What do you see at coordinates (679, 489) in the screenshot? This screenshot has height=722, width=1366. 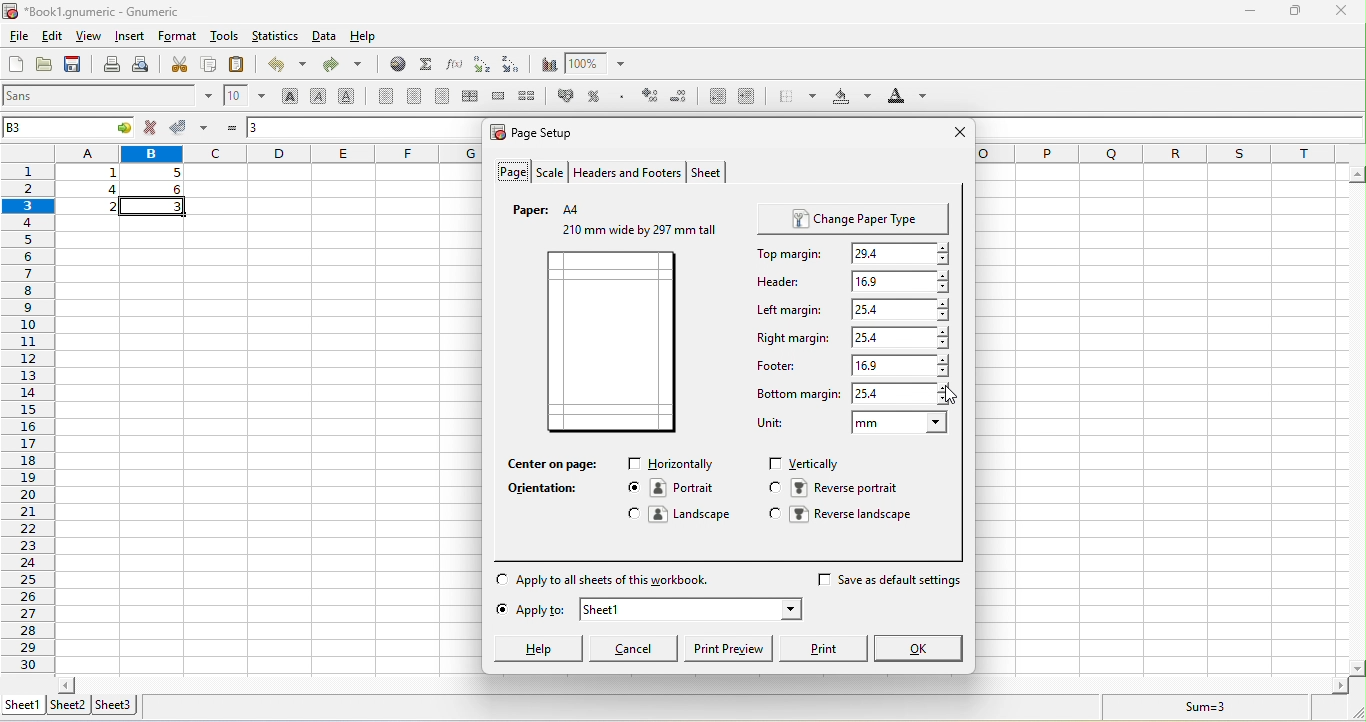 I see `portrait` at bounding box center [679, 489].